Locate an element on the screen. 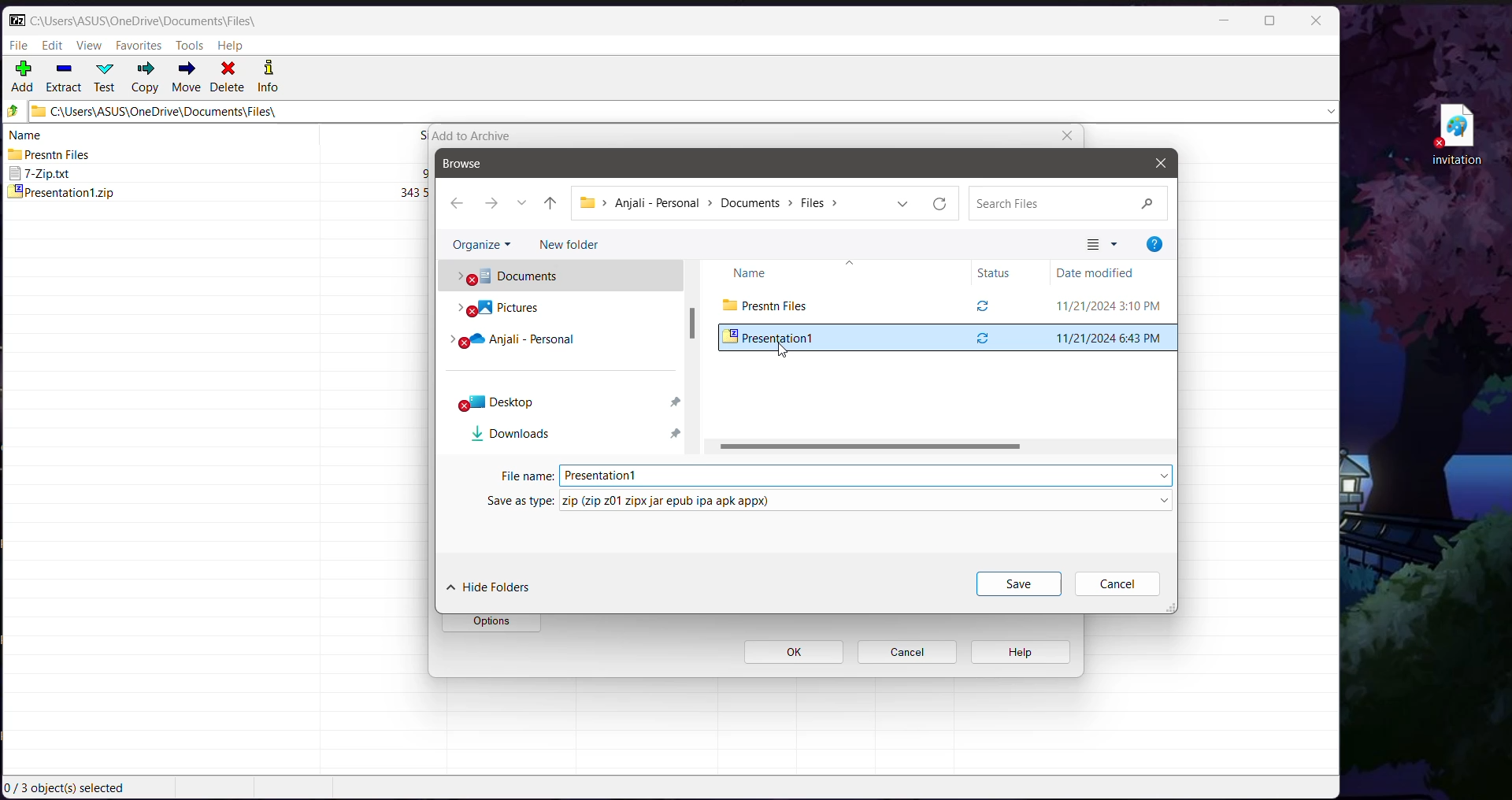 The image size is (1512, 800). Favorites is located at coordinates (139, 46).